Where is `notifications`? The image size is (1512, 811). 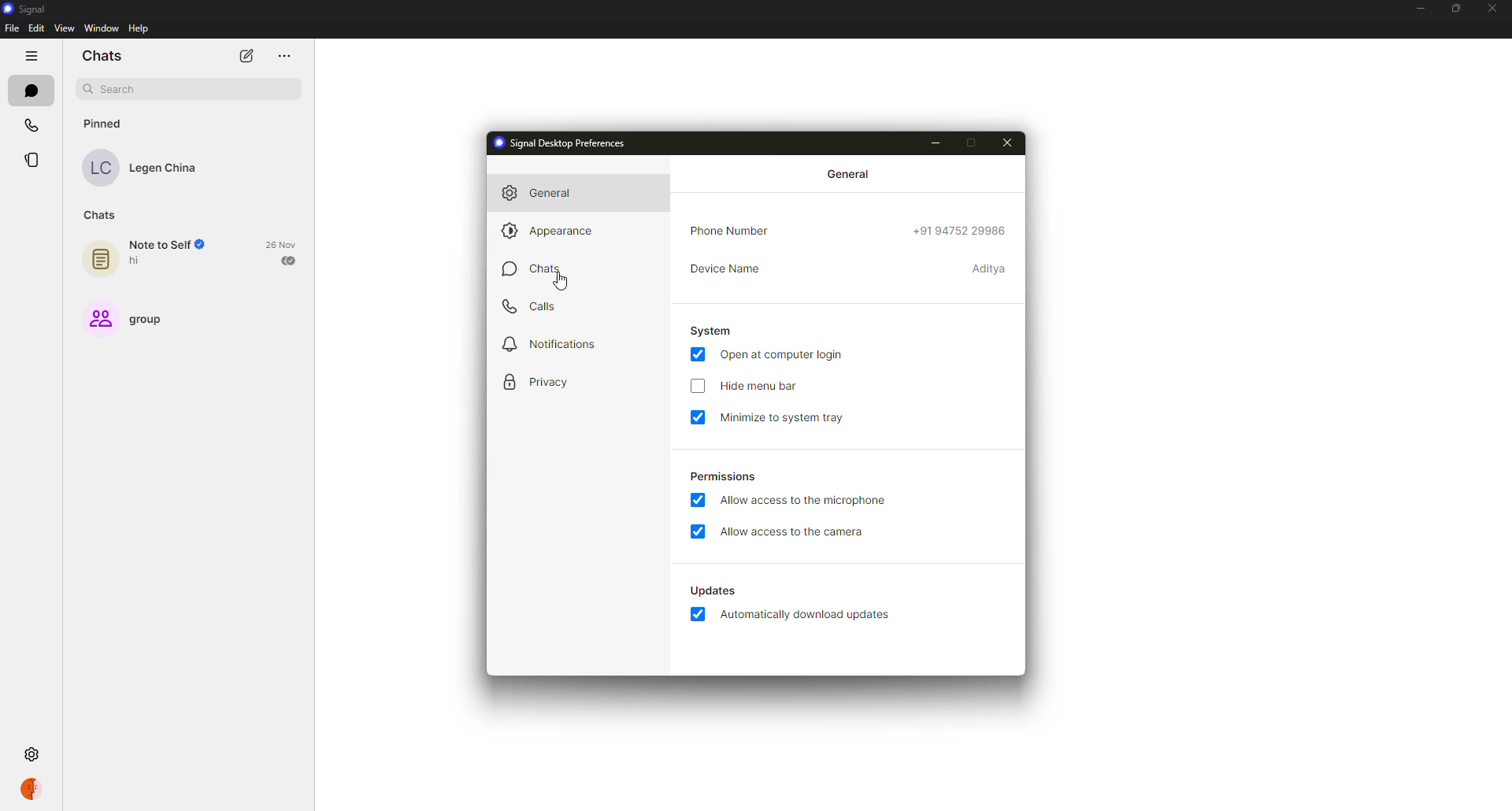
notifications is located at coordinates (551, 343).